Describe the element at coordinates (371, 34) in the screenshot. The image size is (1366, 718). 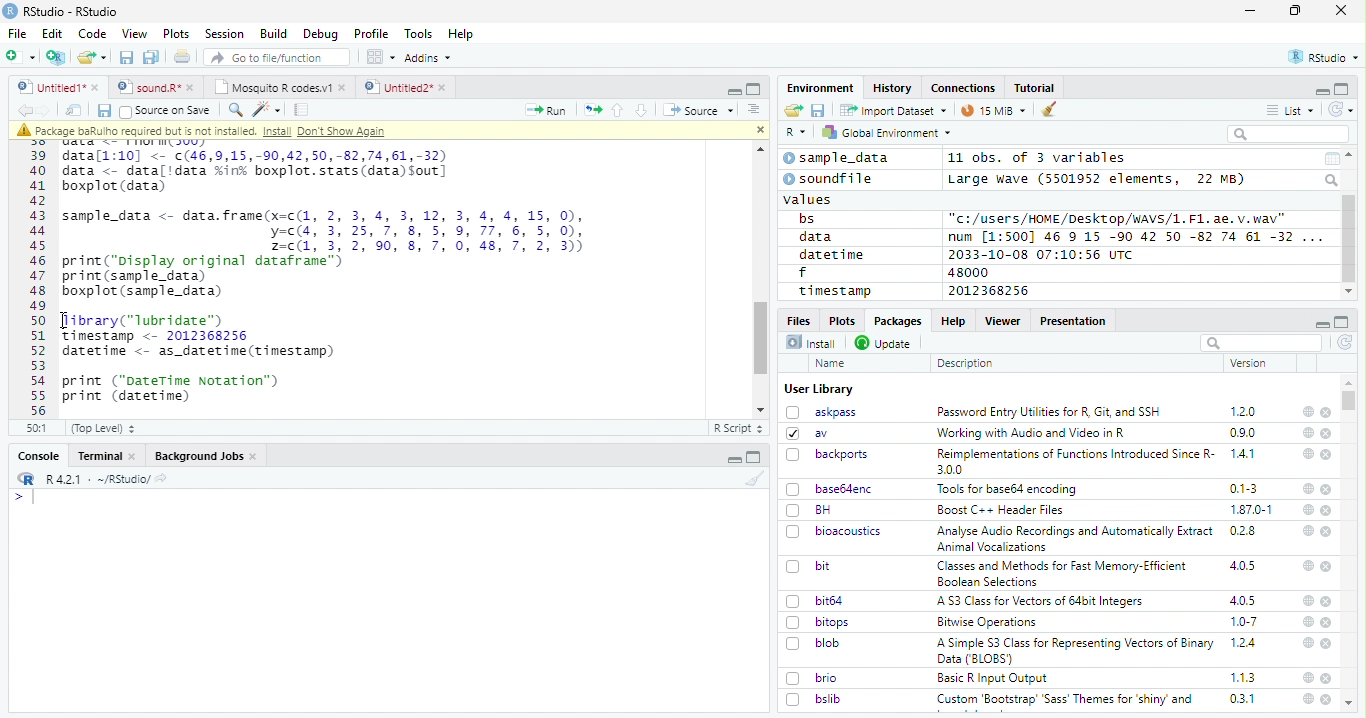
I see `Profile` at that location.